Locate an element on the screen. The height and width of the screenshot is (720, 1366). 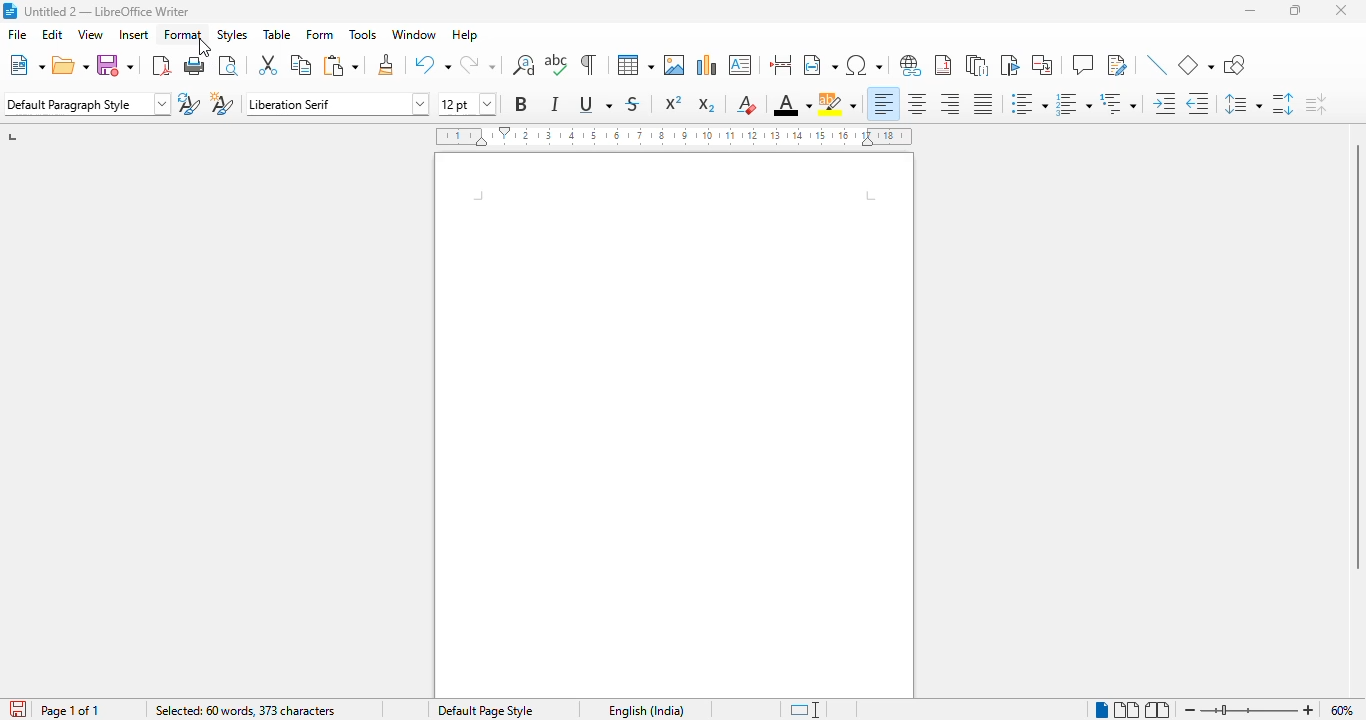
maximize is located at coordinates (1296, 10).